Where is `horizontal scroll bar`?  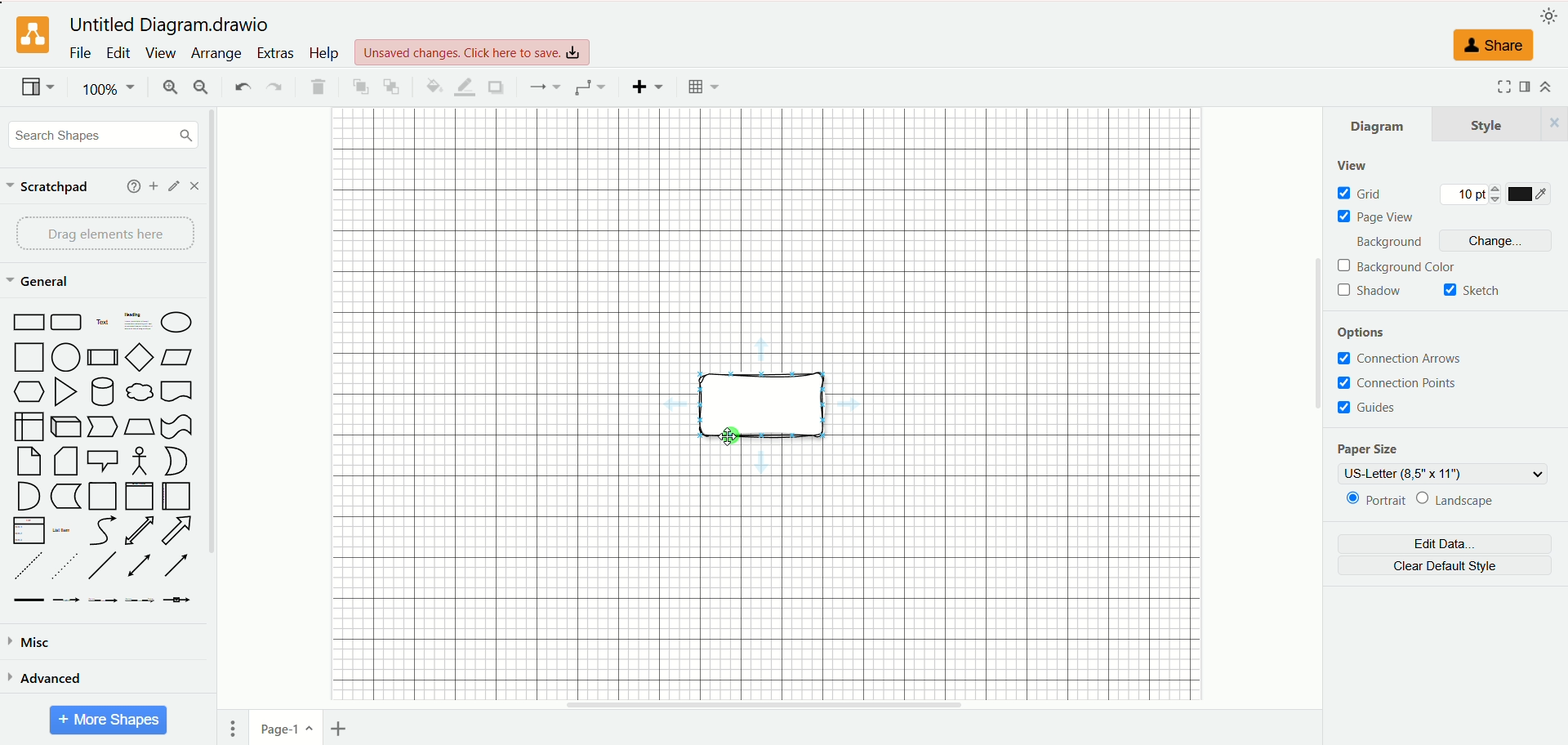
horizontal scroll bar is located at coordinates (765, 705).